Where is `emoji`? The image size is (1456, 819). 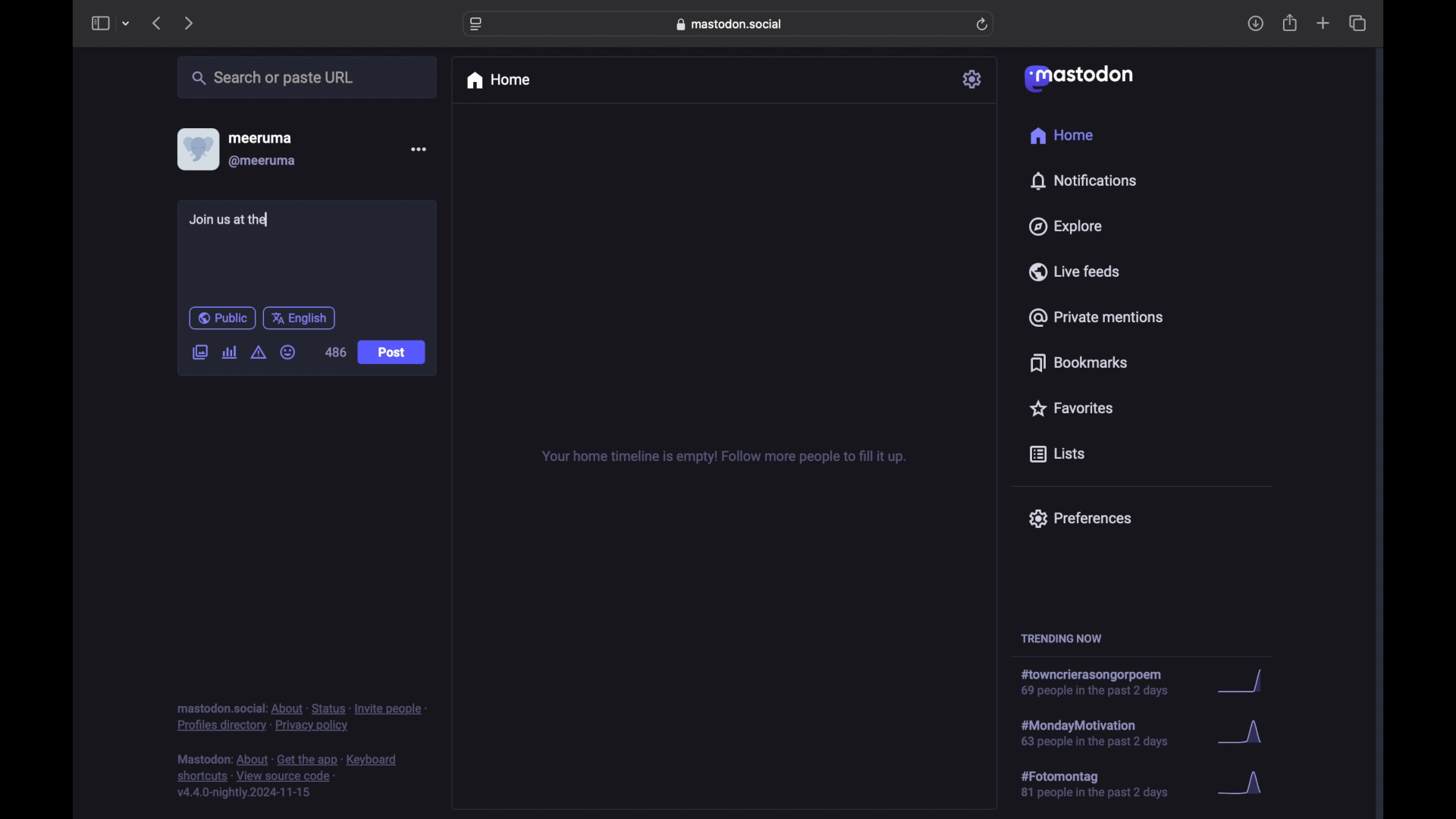 emoji is located at coordinates (288, 353).